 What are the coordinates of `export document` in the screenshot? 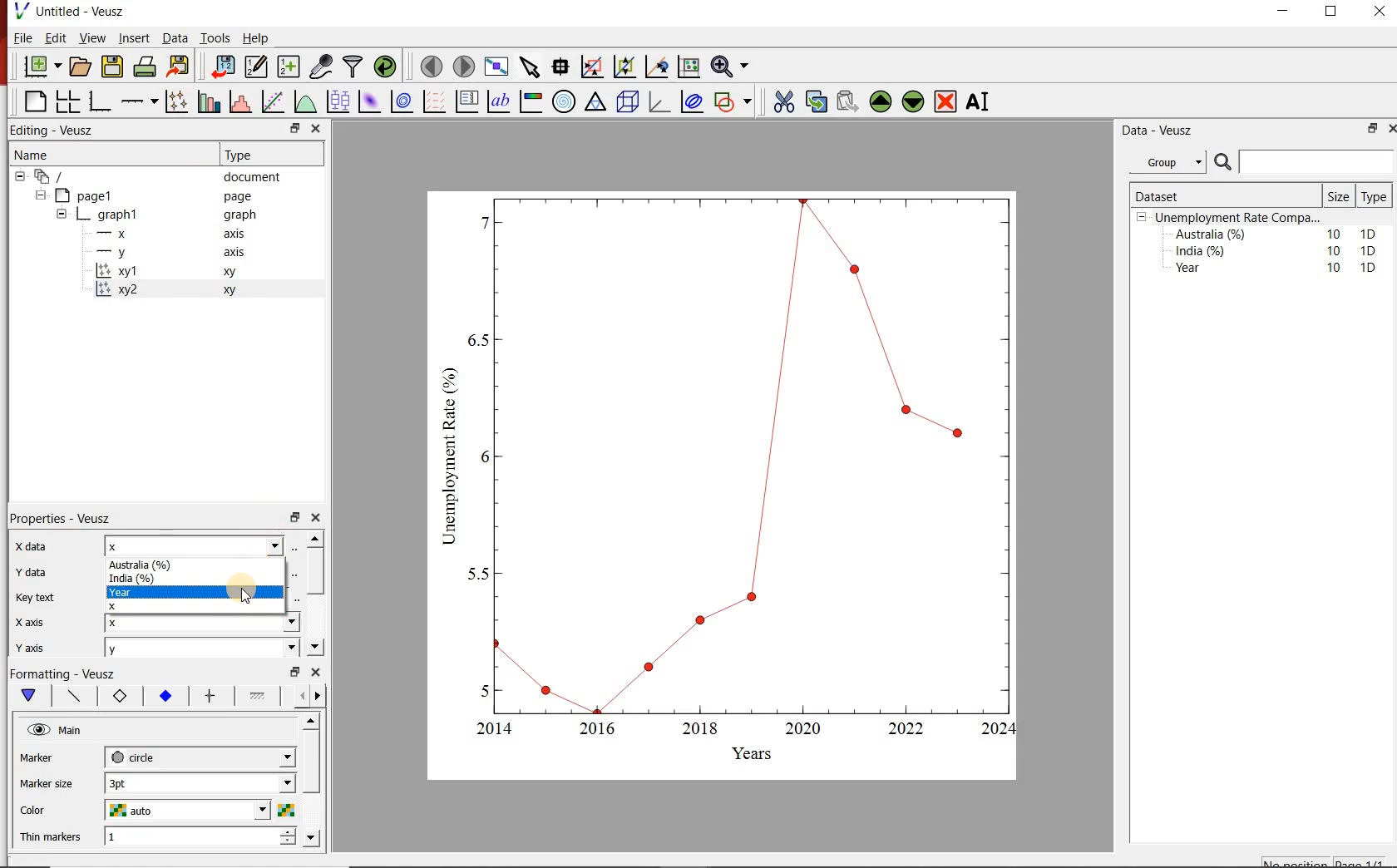 It's located at (180, 65).